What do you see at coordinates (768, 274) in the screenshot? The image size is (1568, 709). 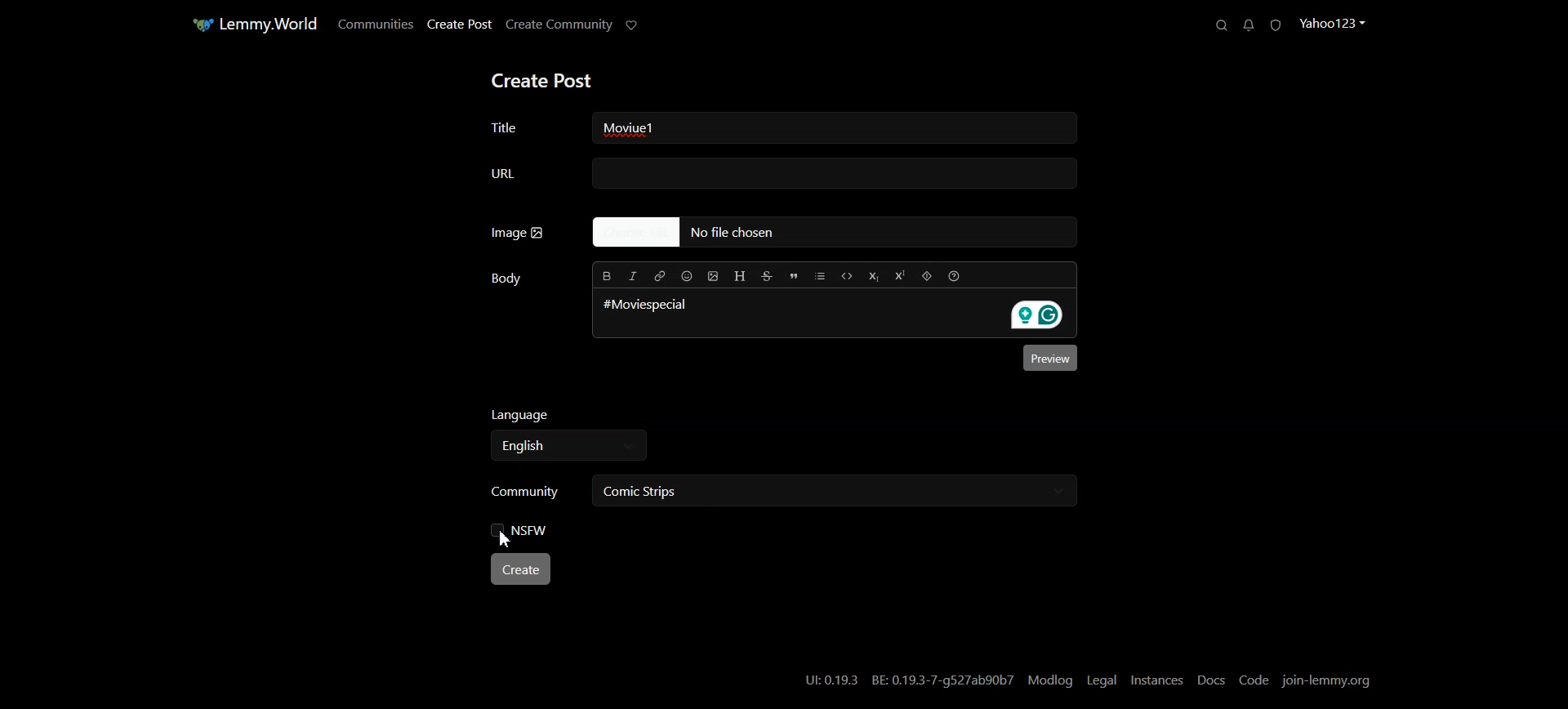 I see `Strikethrough` at bounding box center [768, 274].